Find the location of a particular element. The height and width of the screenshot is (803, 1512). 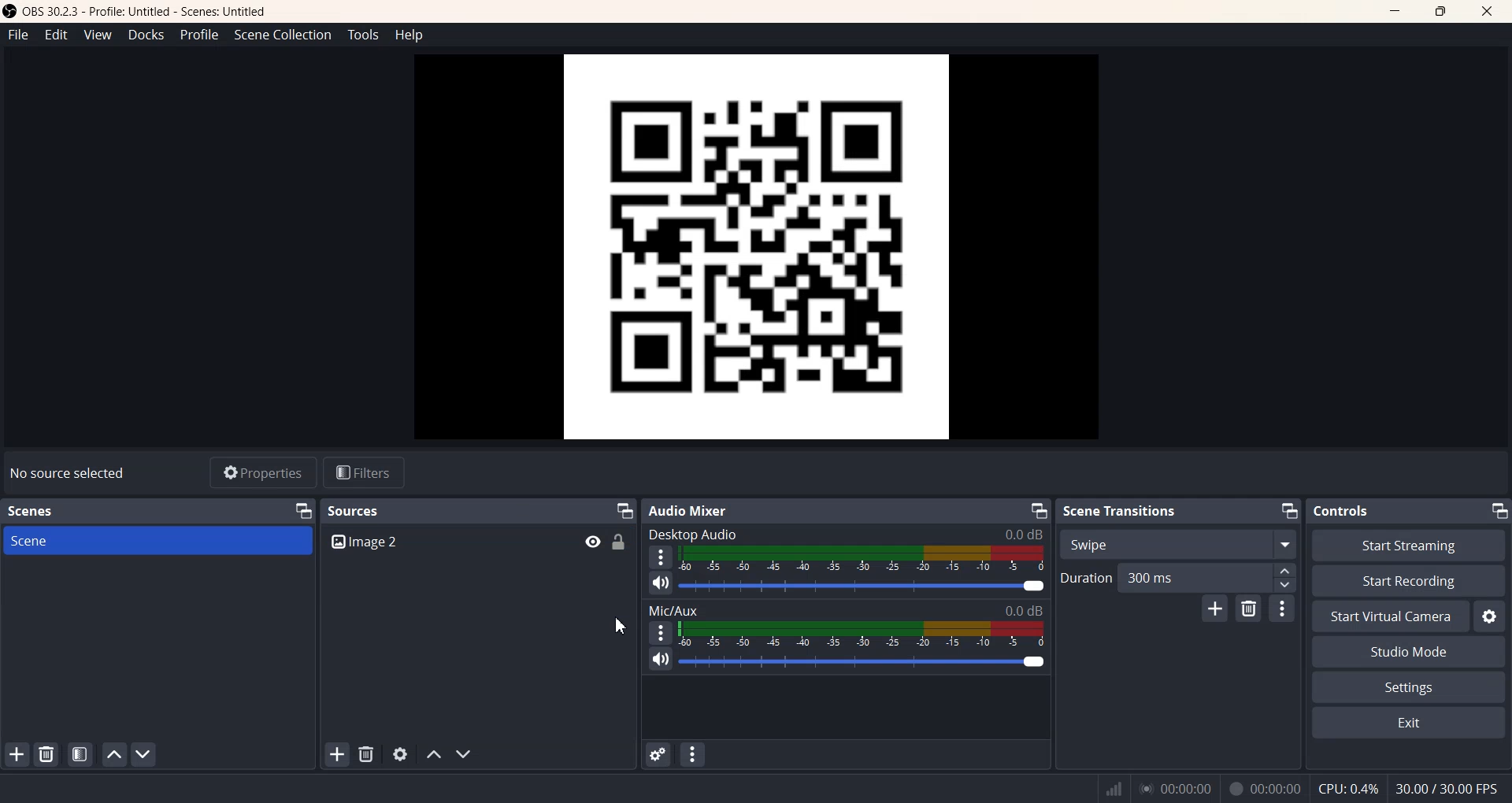

Sound Indicator is located at coordinates (865, 557).